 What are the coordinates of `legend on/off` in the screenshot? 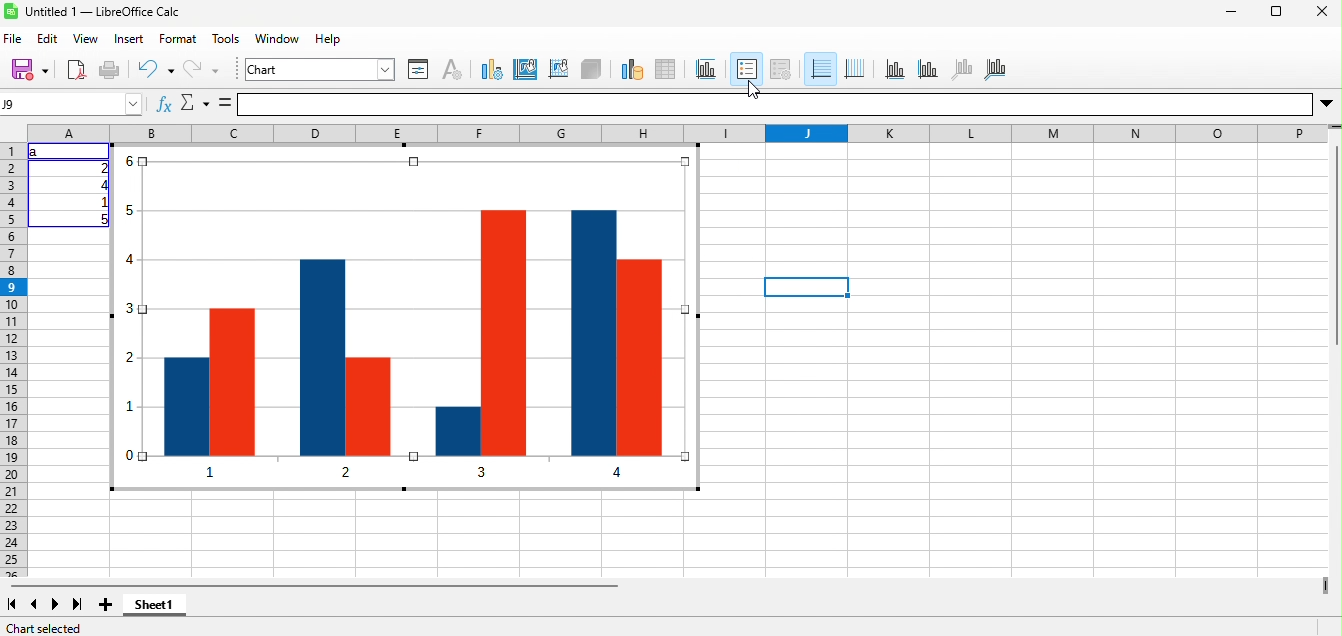 It's located at (747, 70).